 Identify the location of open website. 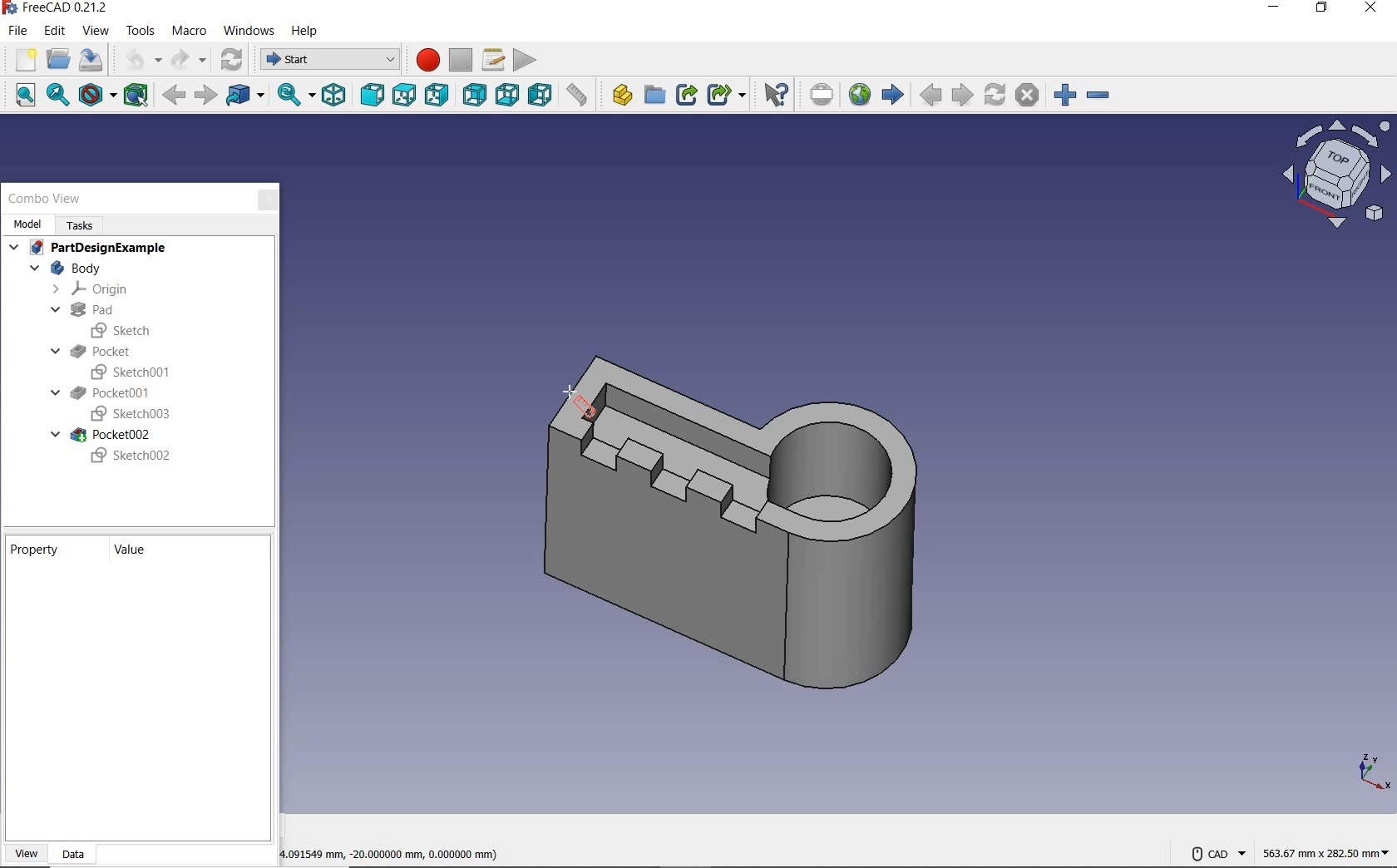
(859, 94).